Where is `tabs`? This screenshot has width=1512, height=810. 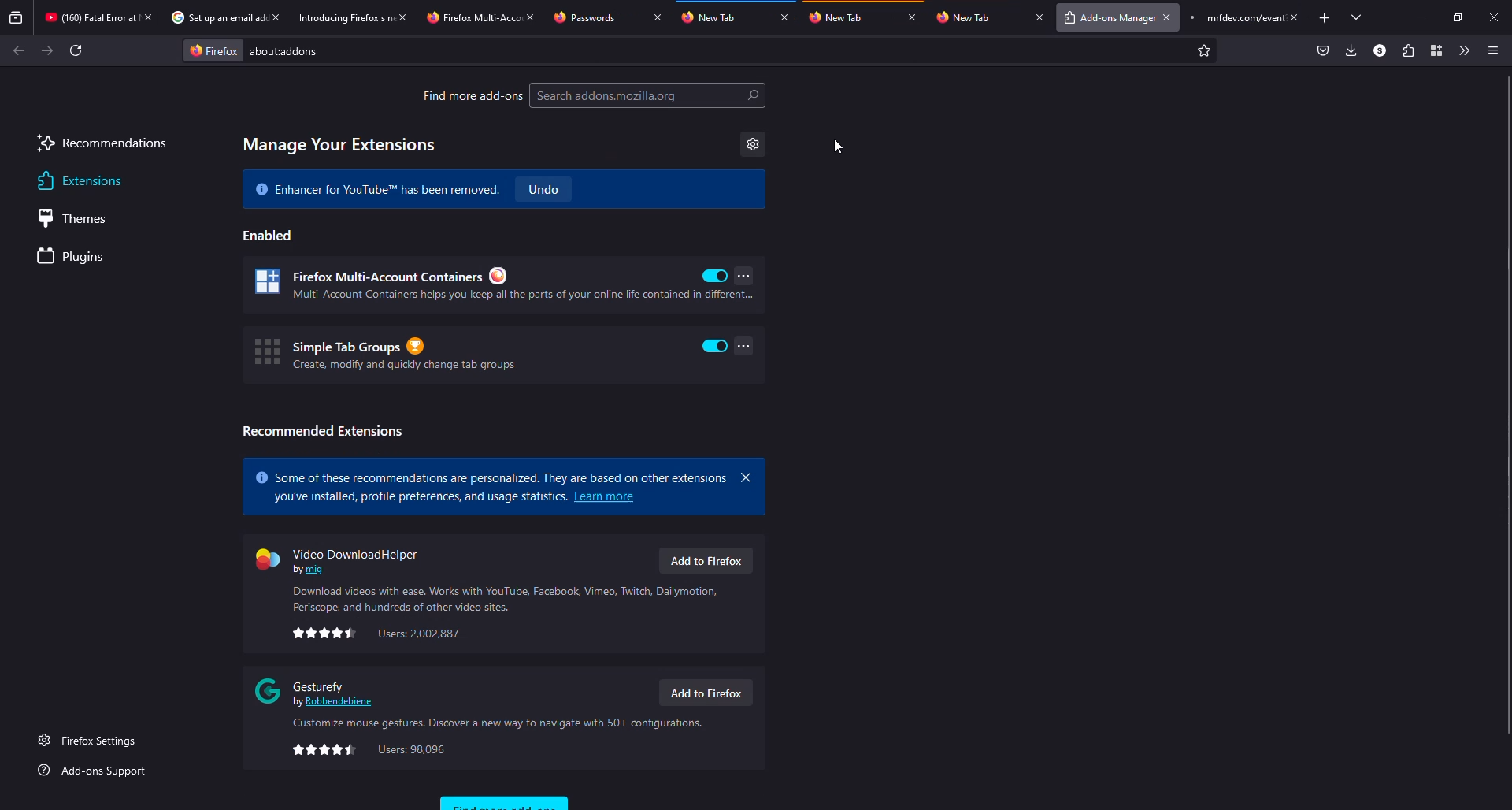 tabs is located at coordinates (1358, 17).